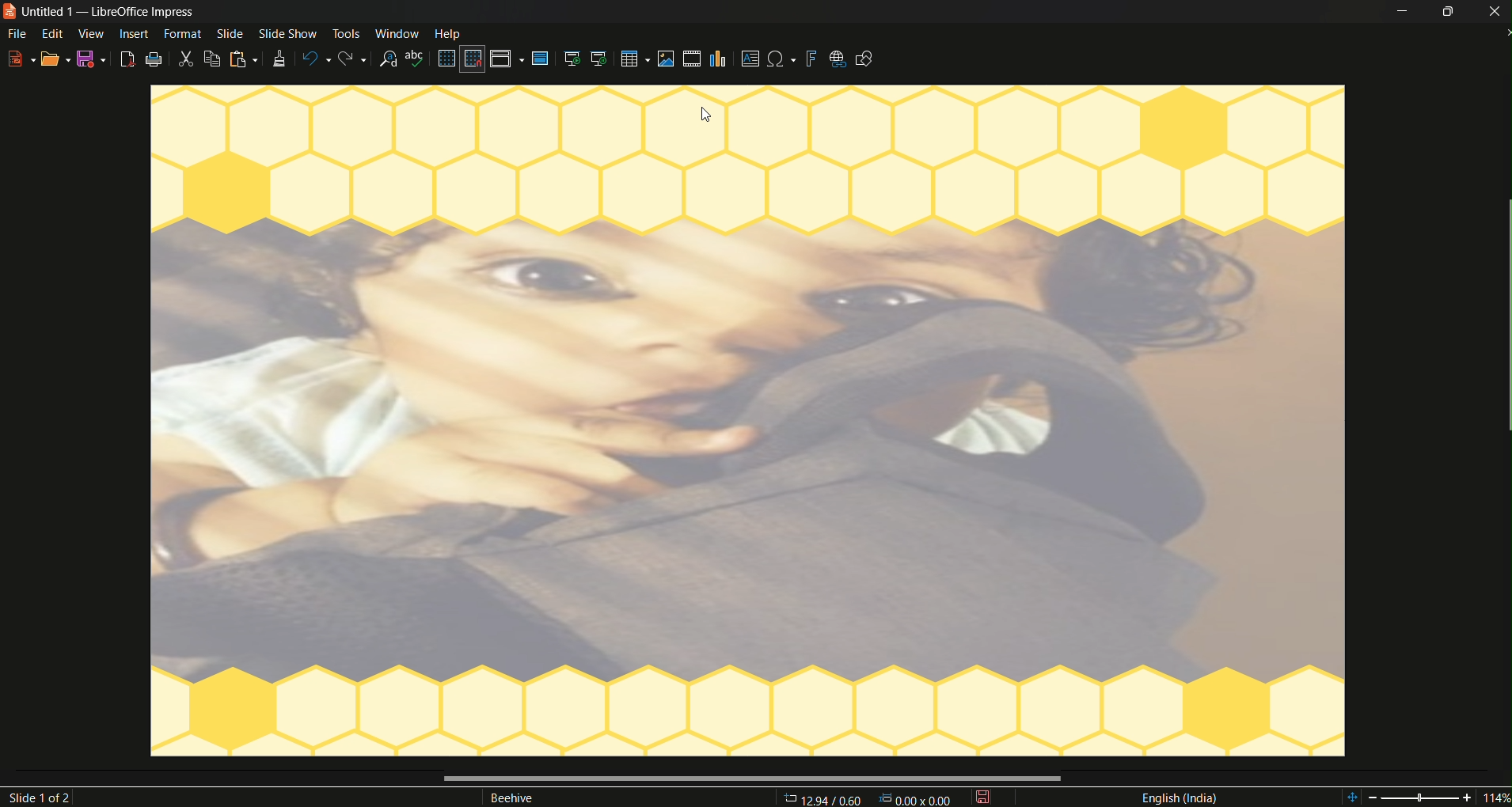  What do you see at coordinates (1403, 12) in the screenshot?
I see `minimize` at bounding box center [1403, 12].